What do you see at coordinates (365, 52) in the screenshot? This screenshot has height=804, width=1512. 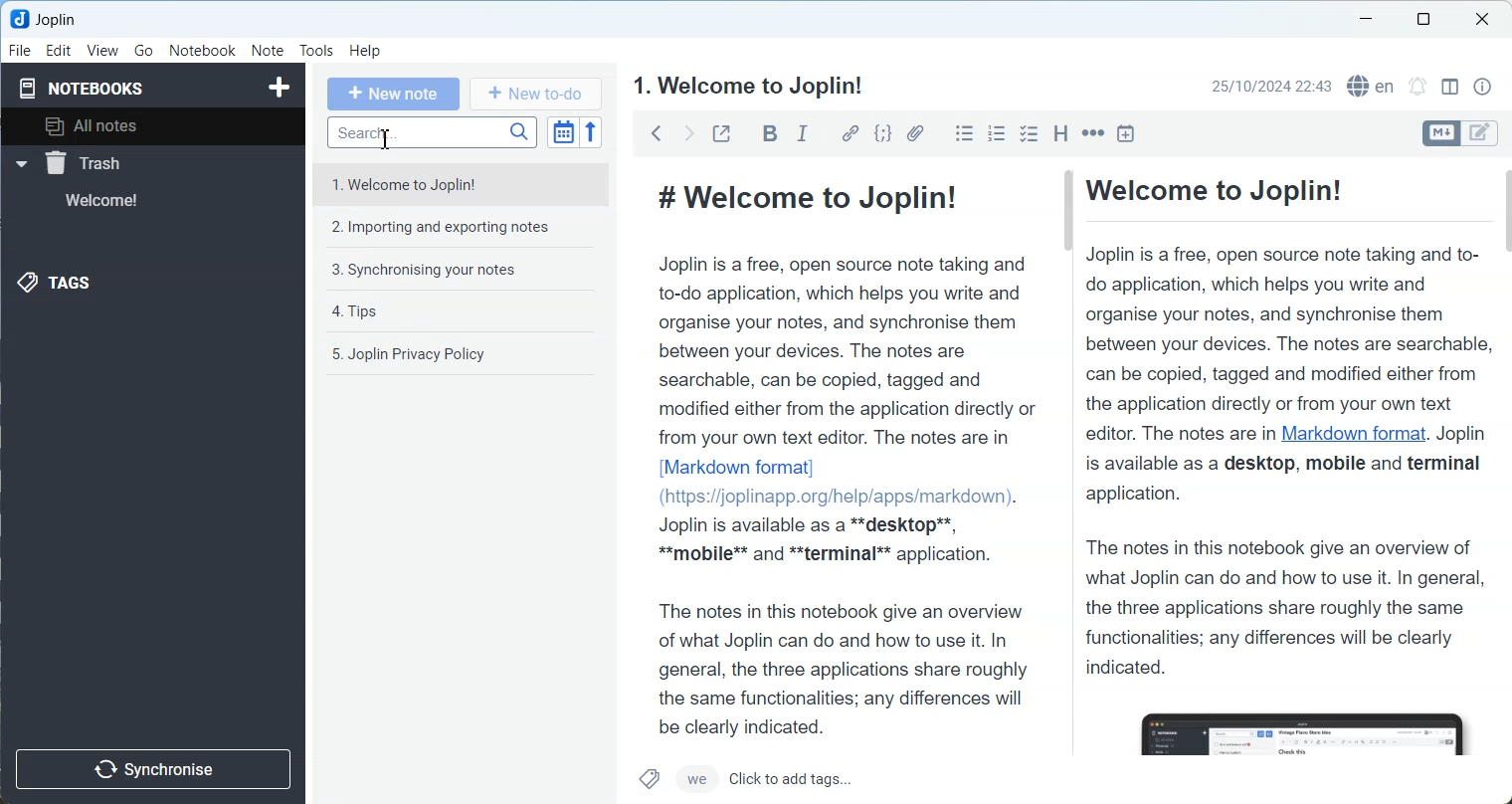 I see `Help` at bounding box center [365, 52].